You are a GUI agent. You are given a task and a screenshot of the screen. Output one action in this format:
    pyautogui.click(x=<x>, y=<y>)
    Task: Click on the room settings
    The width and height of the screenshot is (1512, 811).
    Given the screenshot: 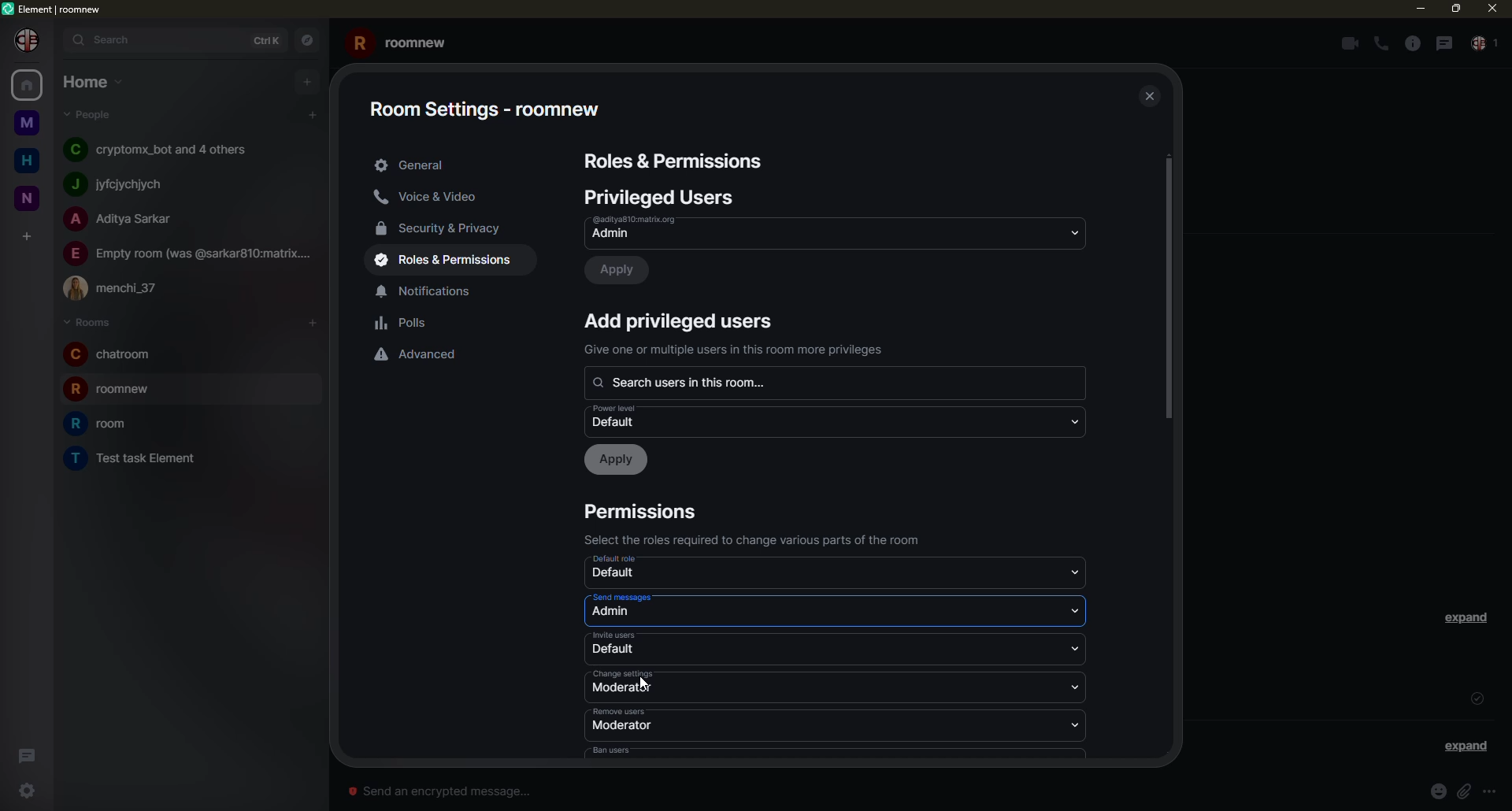 What is the action you would take?
    pyautogui.click(x=492, y=104)
    